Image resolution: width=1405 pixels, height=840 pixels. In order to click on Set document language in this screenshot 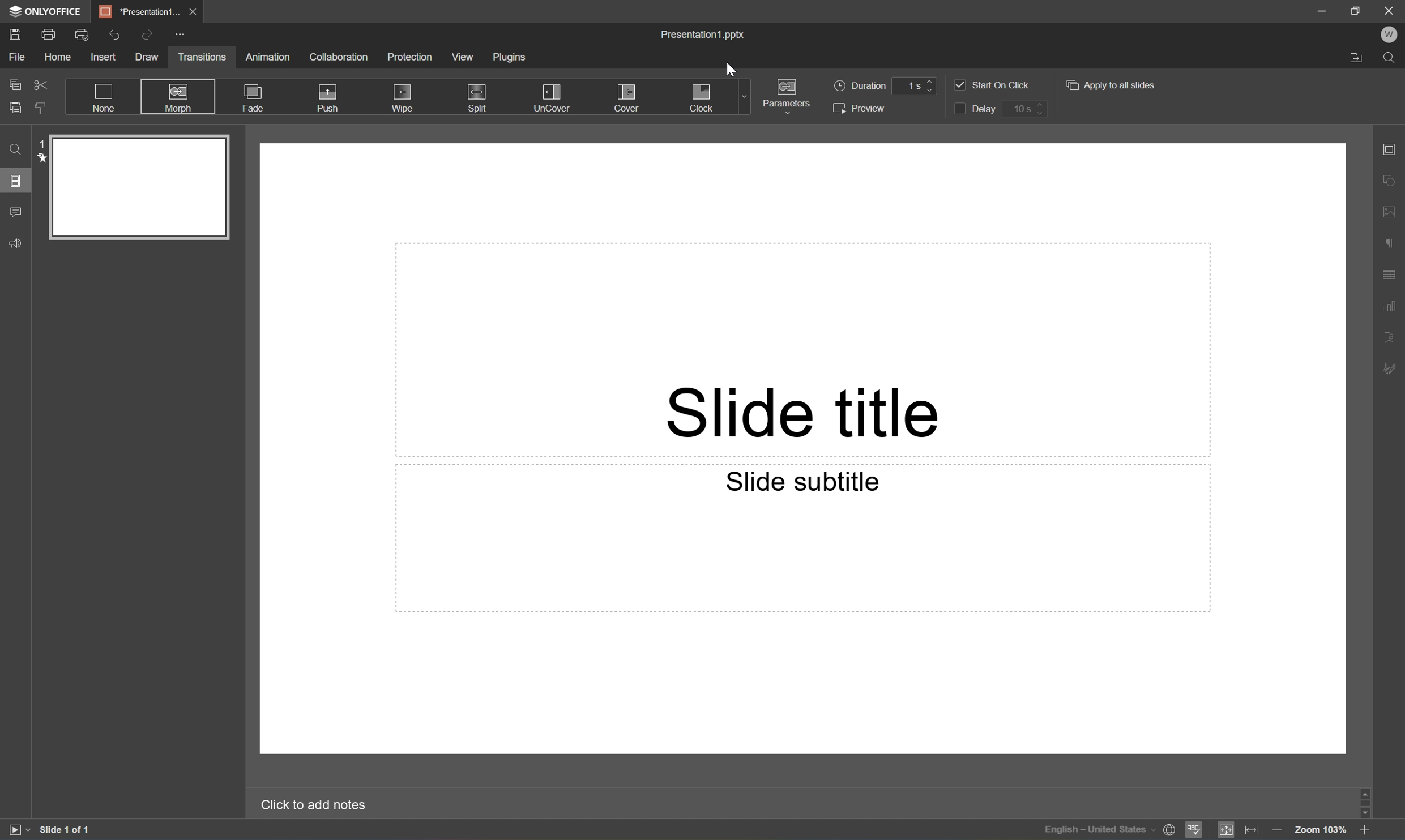, I will do `click(1172, 832)`.